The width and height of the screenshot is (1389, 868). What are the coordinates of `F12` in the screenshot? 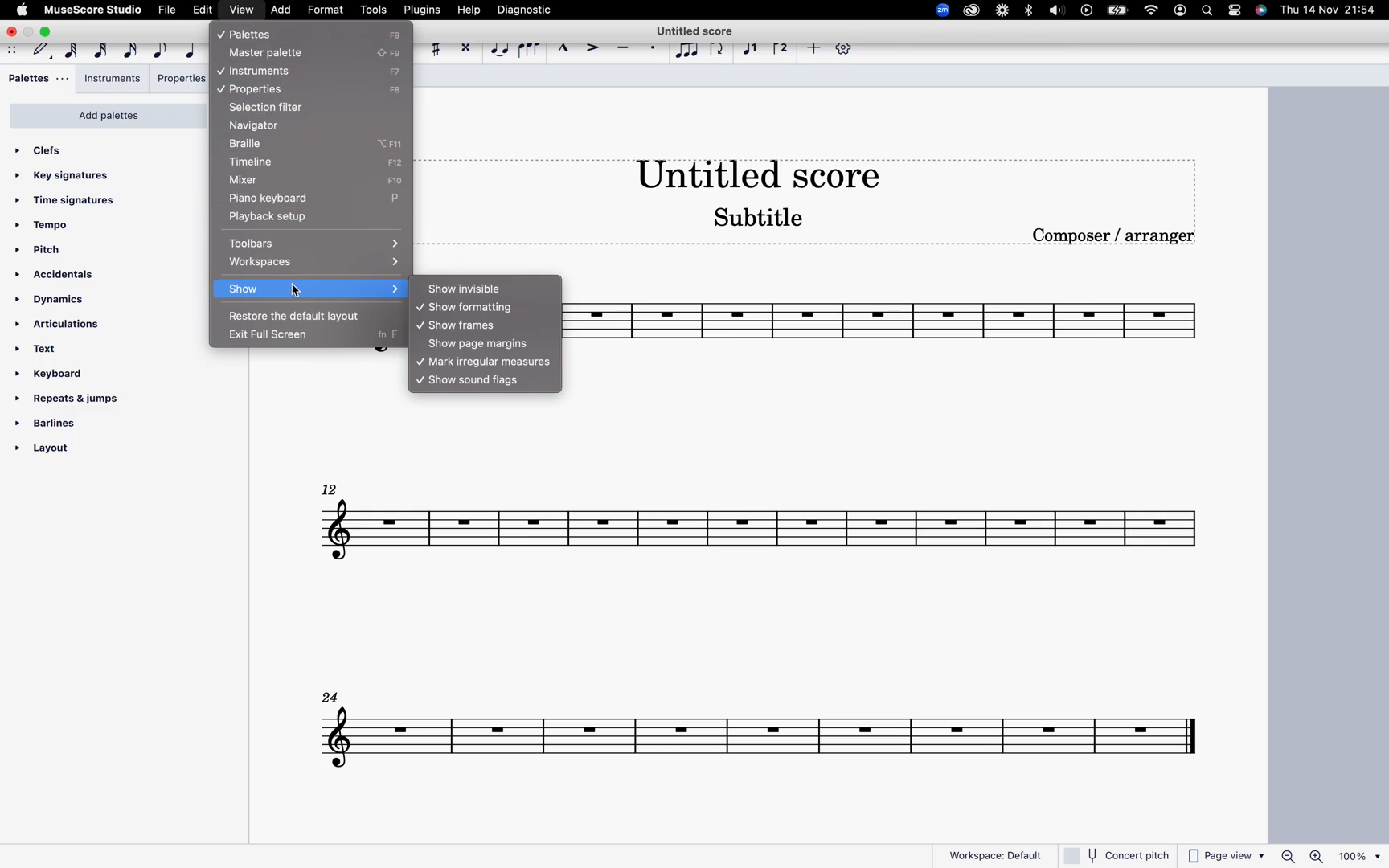 It's located at (400, 164).